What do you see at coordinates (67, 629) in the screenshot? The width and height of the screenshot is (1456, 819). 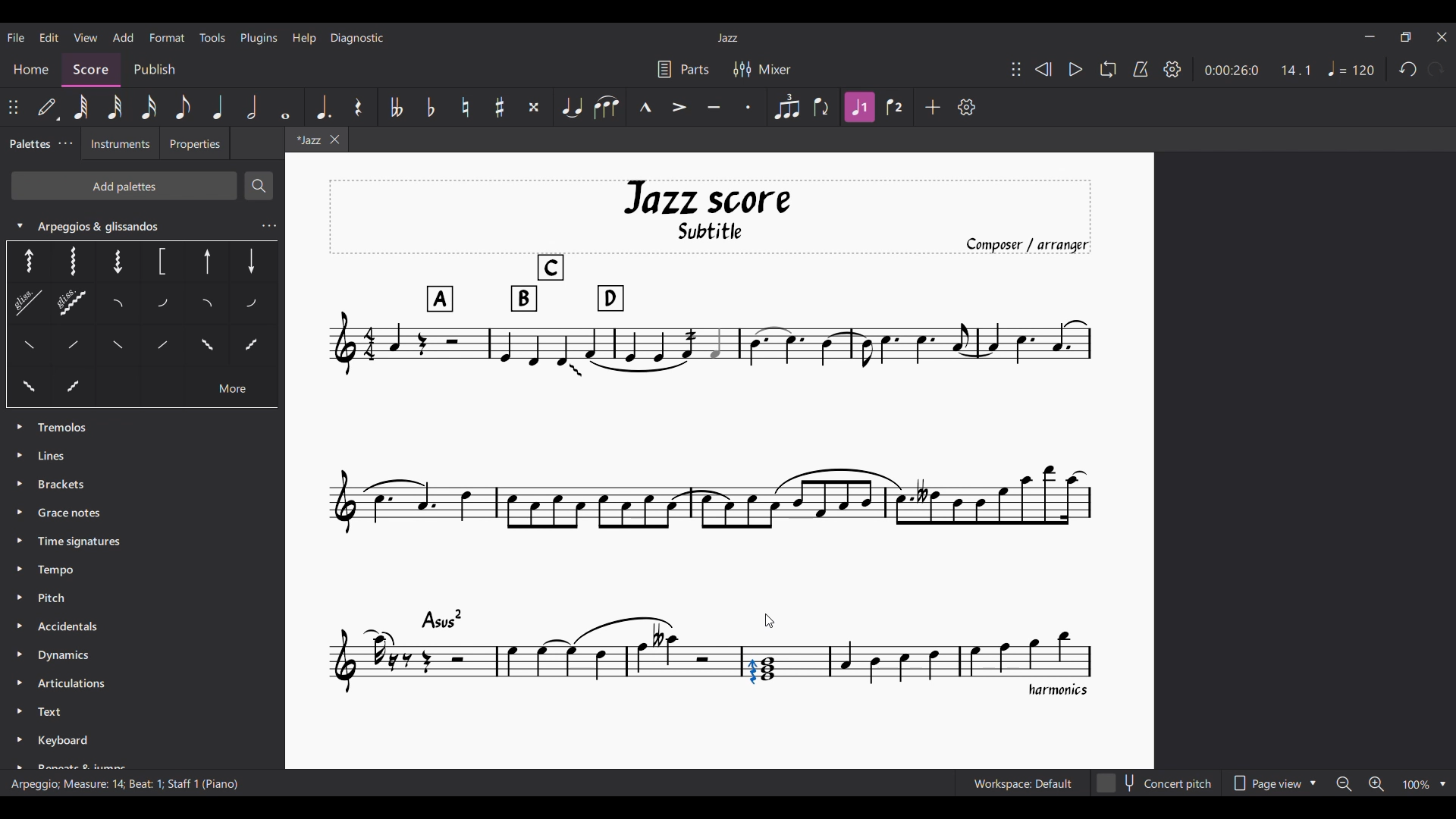 I see `Accidentals` at bounding box center [67, 629].